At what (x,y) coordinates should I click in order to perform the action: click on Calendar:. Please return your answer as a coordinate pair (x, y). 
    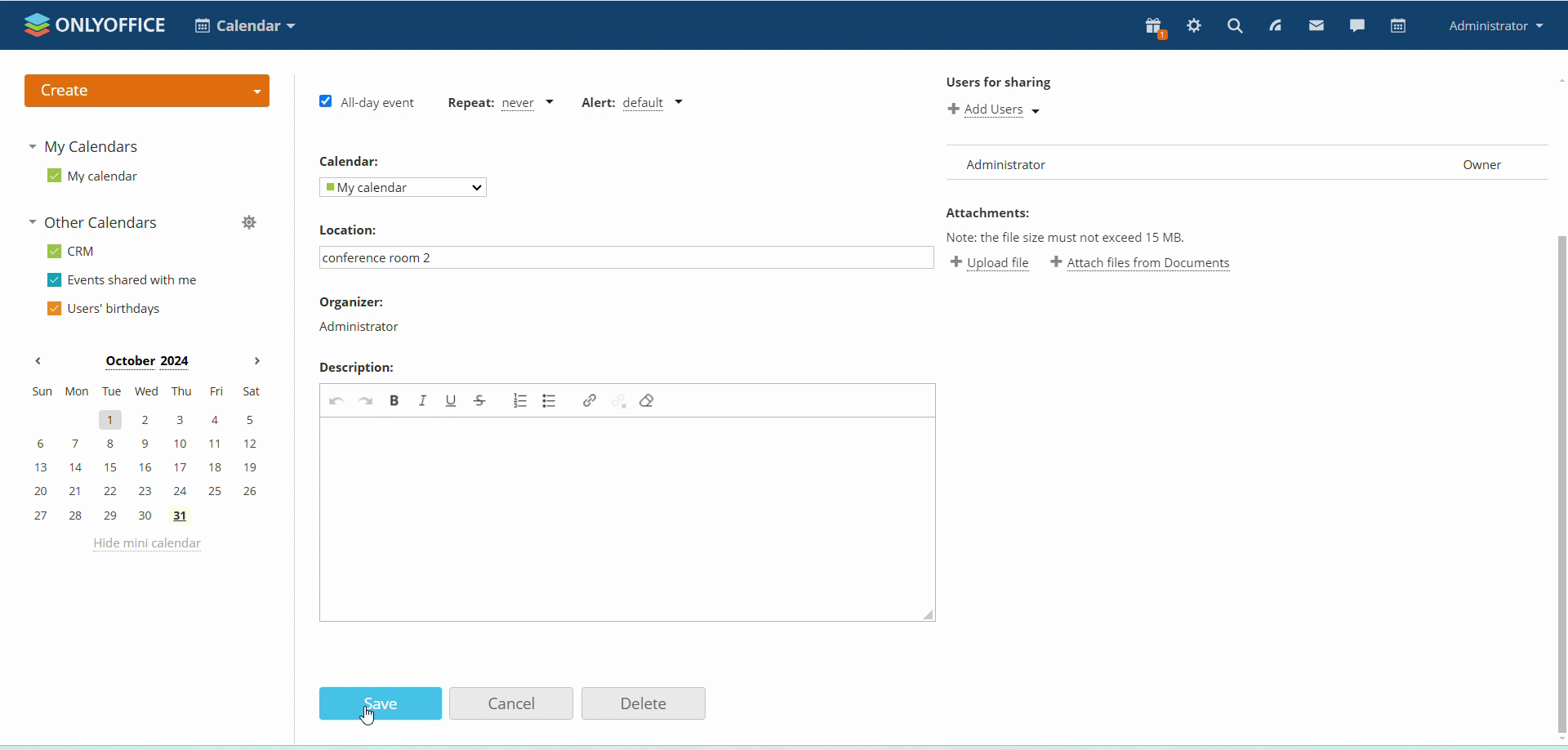
    Looking at the image, I should click on (352, 161).